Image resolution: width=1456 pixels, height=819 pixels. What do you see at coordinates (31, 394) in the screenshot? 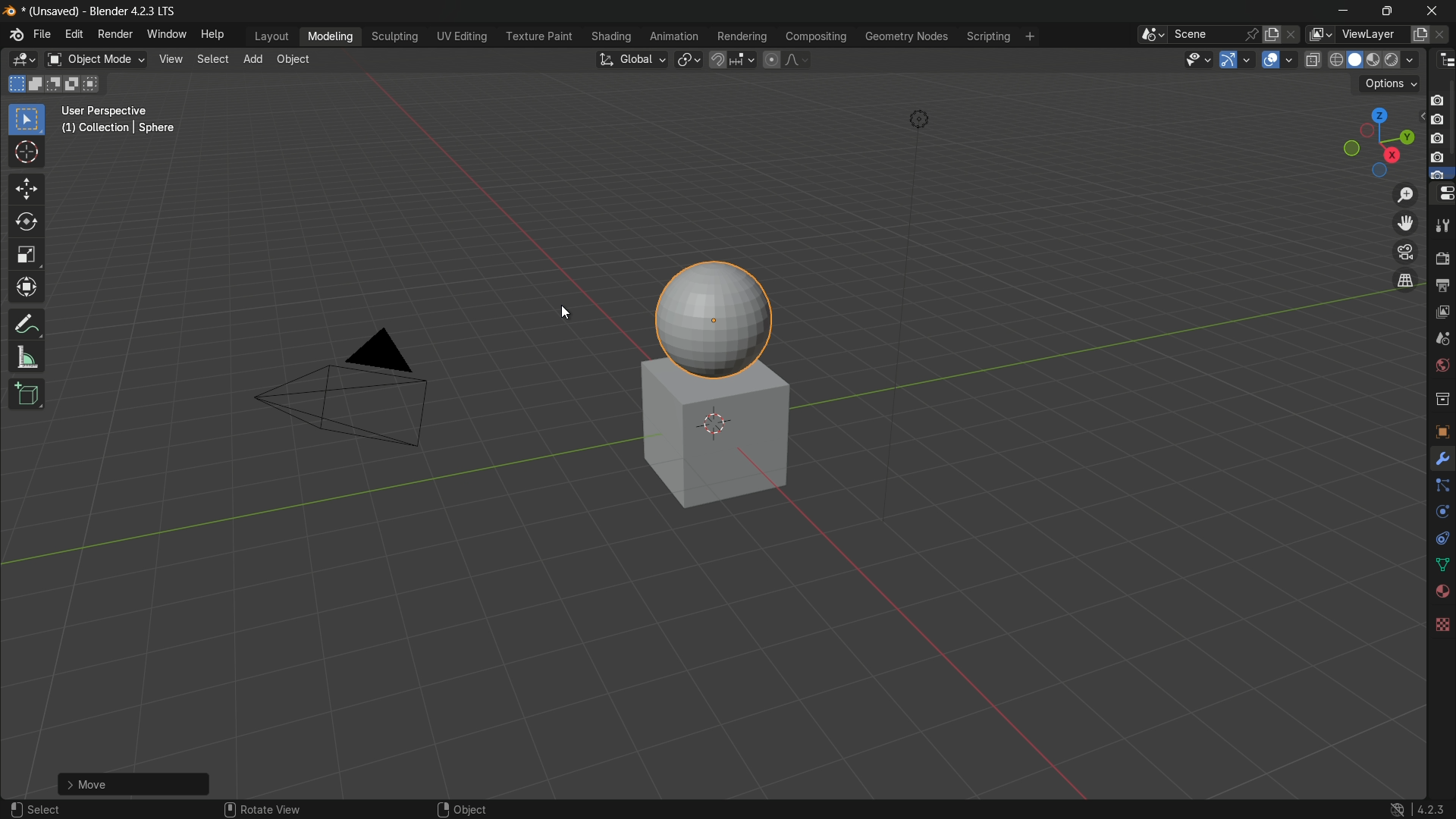
I see `add cube` at bounding box center [31, 394].